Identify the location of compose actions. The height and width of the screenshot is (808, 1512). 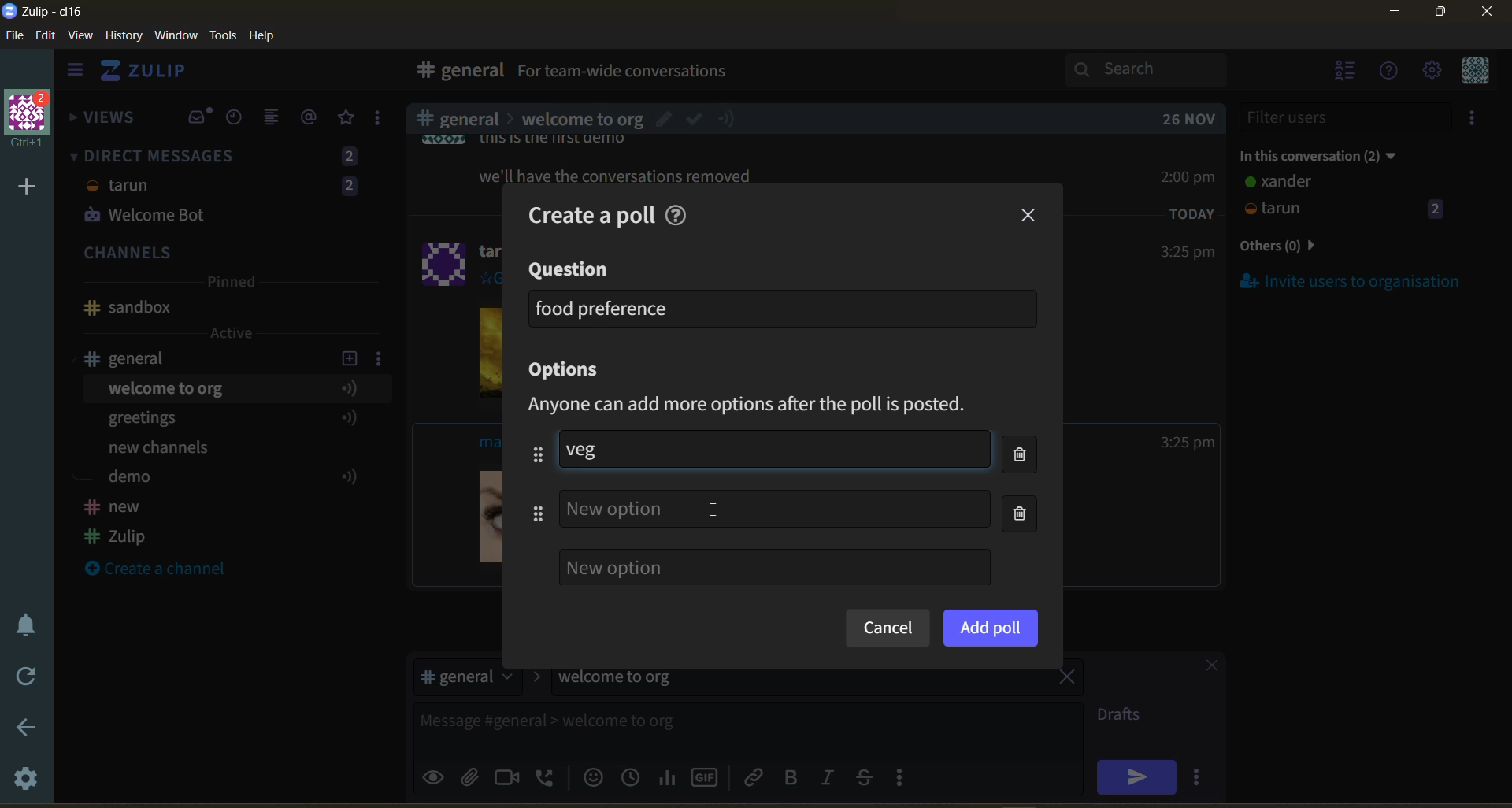
(906, 776).